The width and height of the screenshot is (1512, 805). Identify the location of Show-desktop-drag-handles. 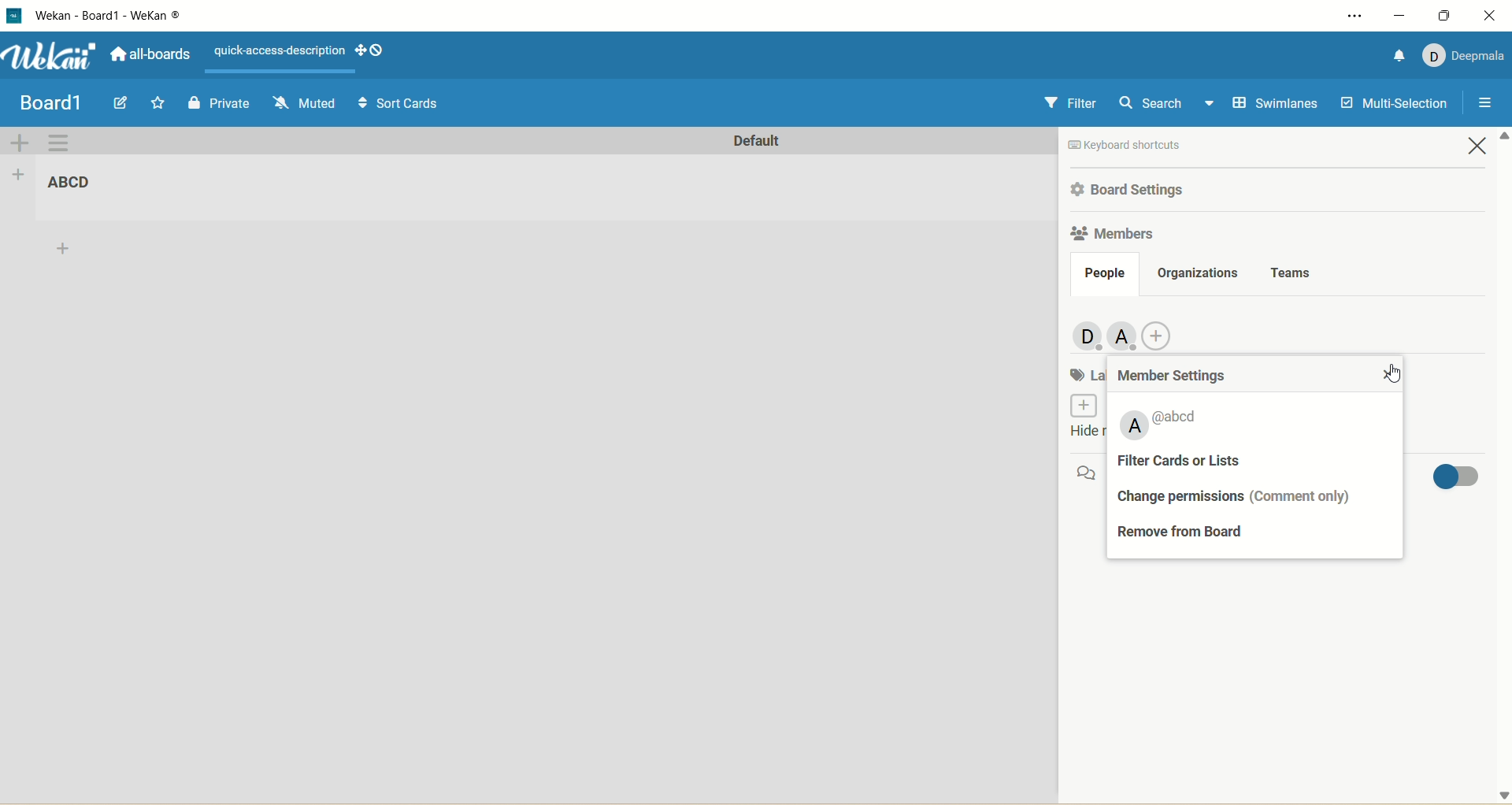
(380, 50).